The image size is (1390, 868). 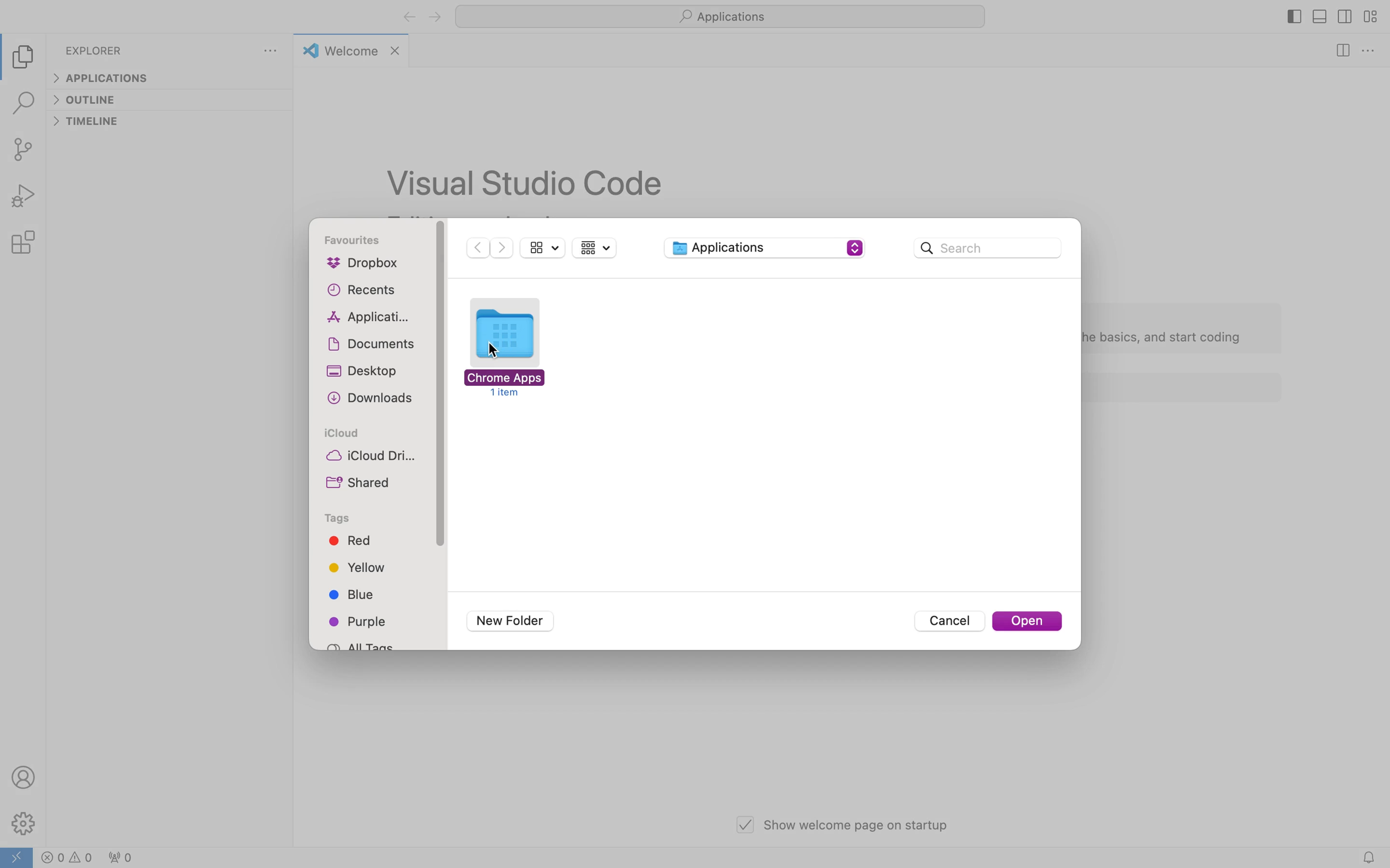 I want to click on new folder, so click(x=506, y=621).